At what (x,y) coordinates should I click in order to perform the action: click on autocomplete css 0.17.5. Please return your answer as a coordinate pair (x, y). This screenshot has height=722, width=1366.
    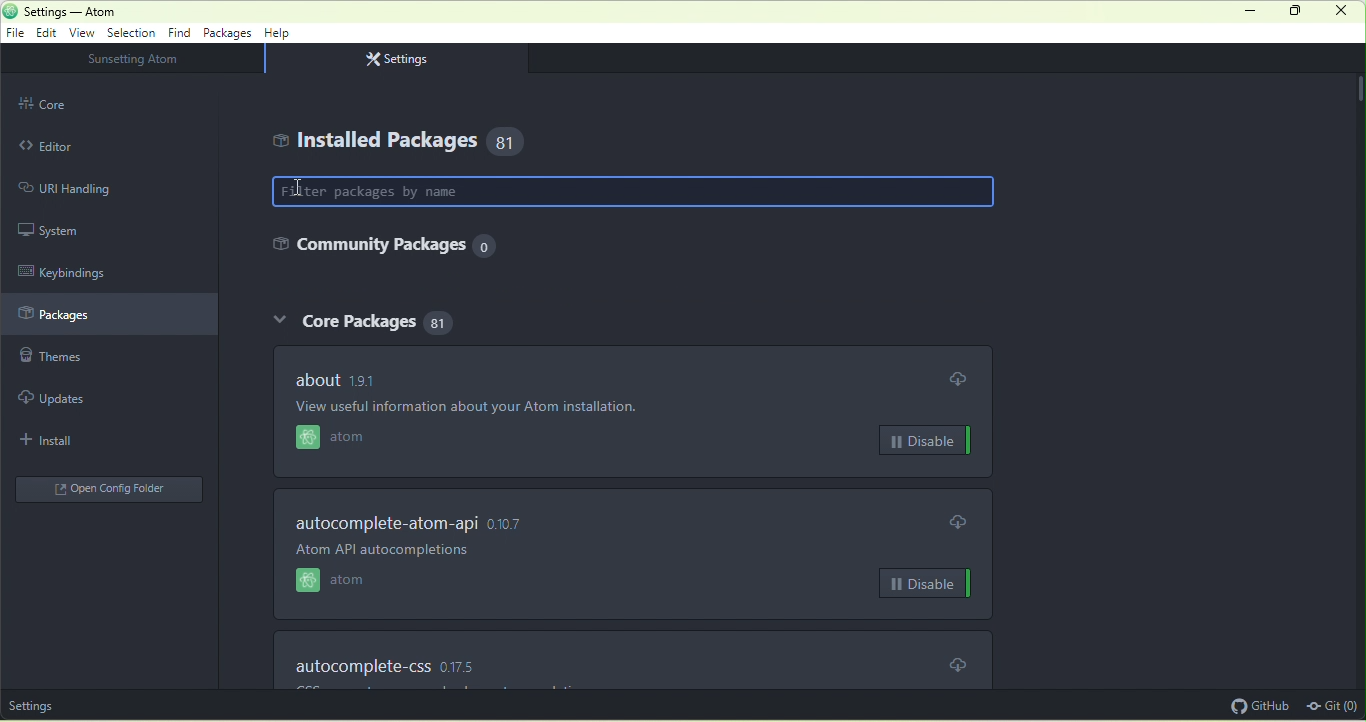
    Looking at the image, I should click on (409, 661).